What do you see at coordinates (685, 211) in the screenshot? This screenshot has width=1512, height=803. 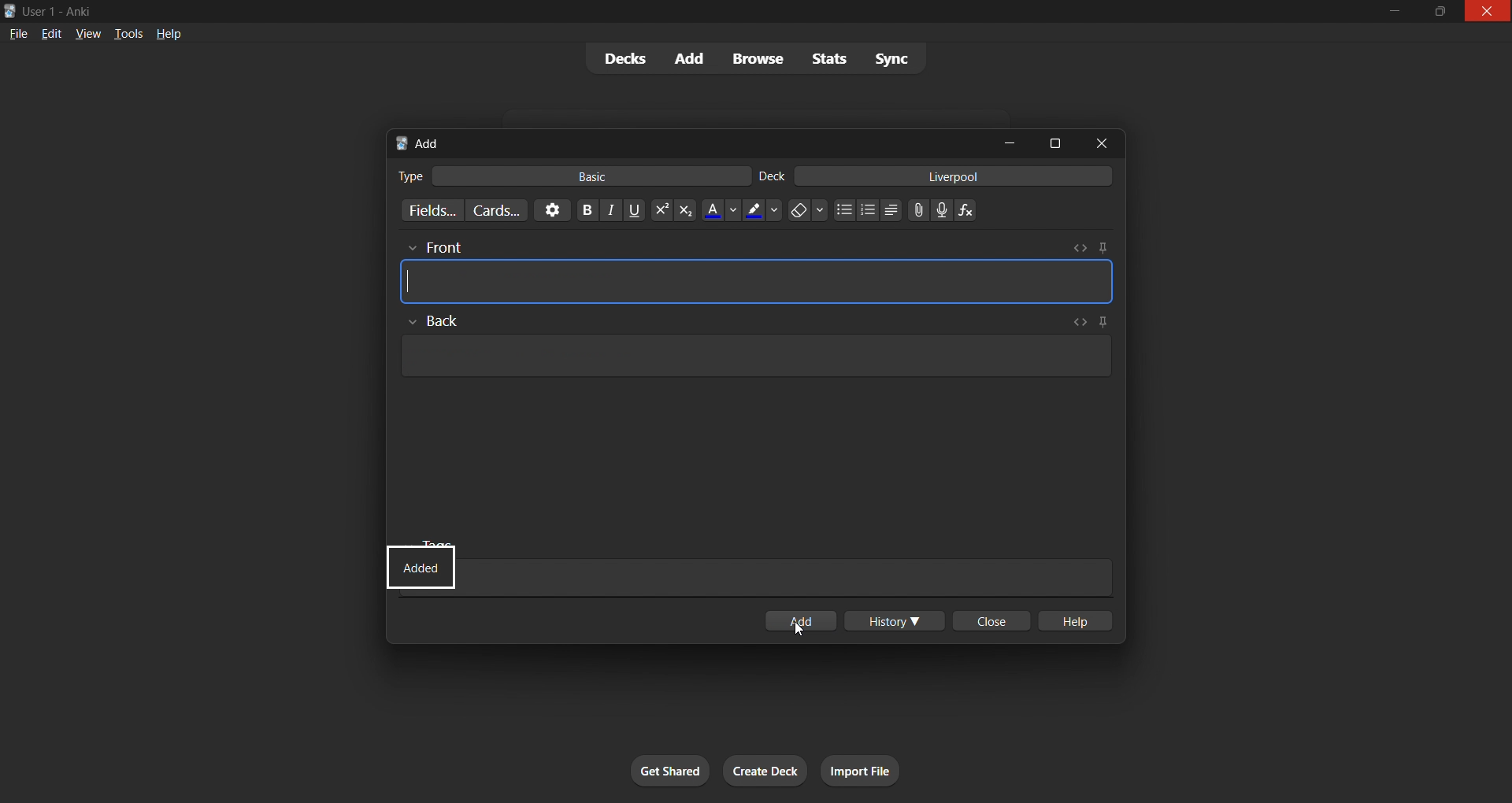 I see `subscript` at bounding box center [685, 211].